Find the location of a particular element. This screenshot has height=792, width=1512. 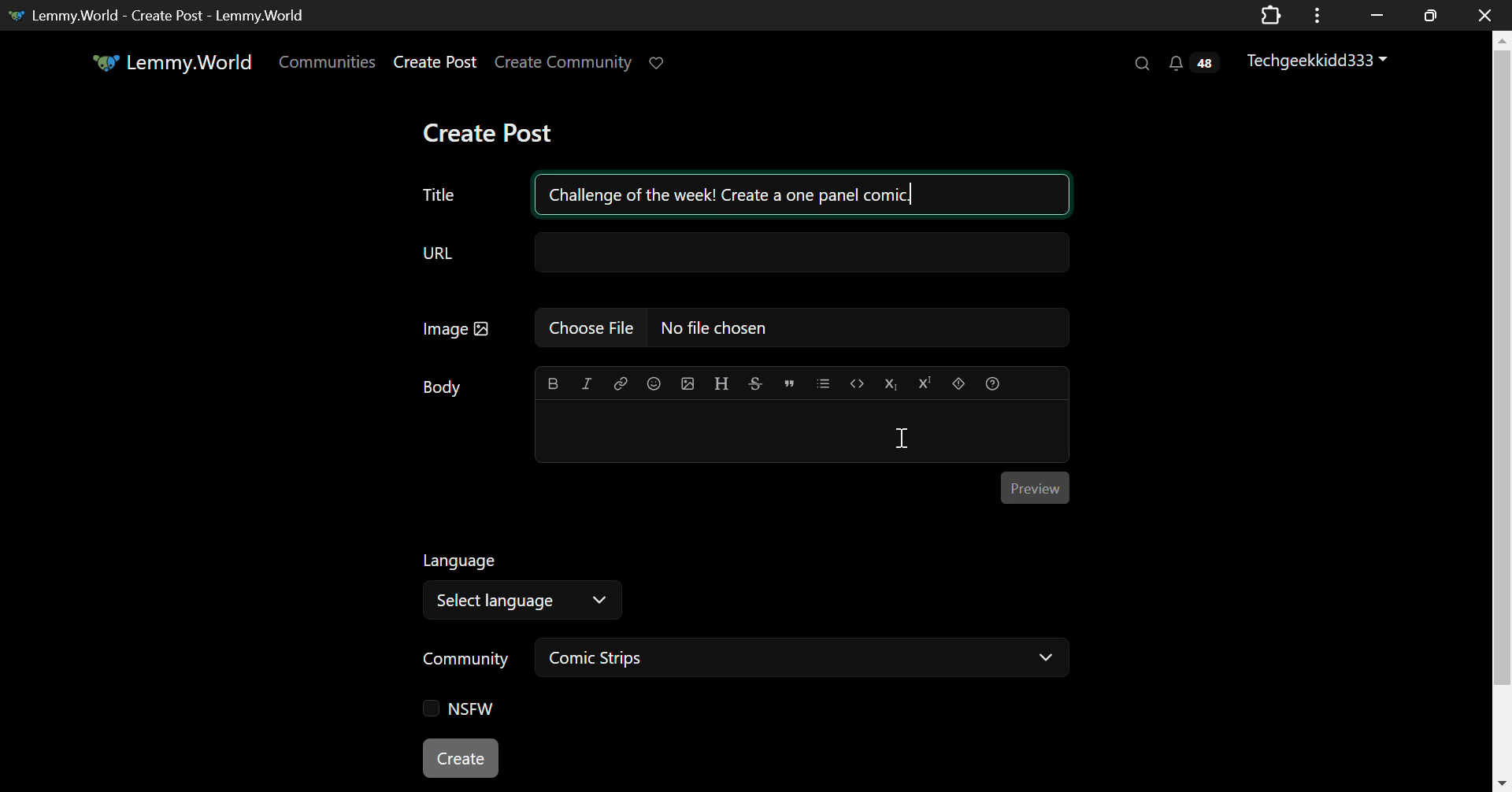

Create Post is located at coordinates (495, 132).